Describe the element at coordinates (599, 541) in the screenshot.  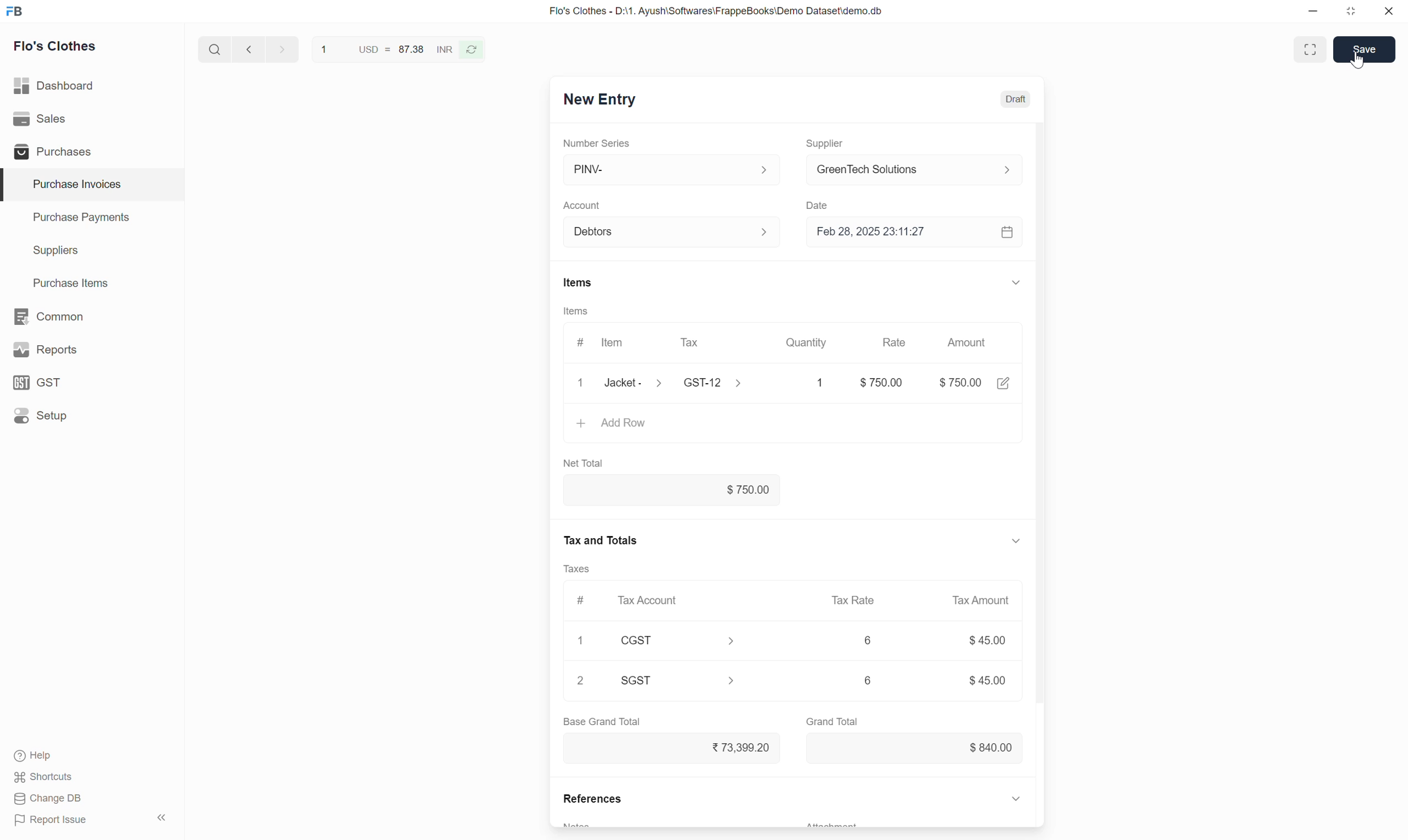
I see `Tax and Totals` at that location.